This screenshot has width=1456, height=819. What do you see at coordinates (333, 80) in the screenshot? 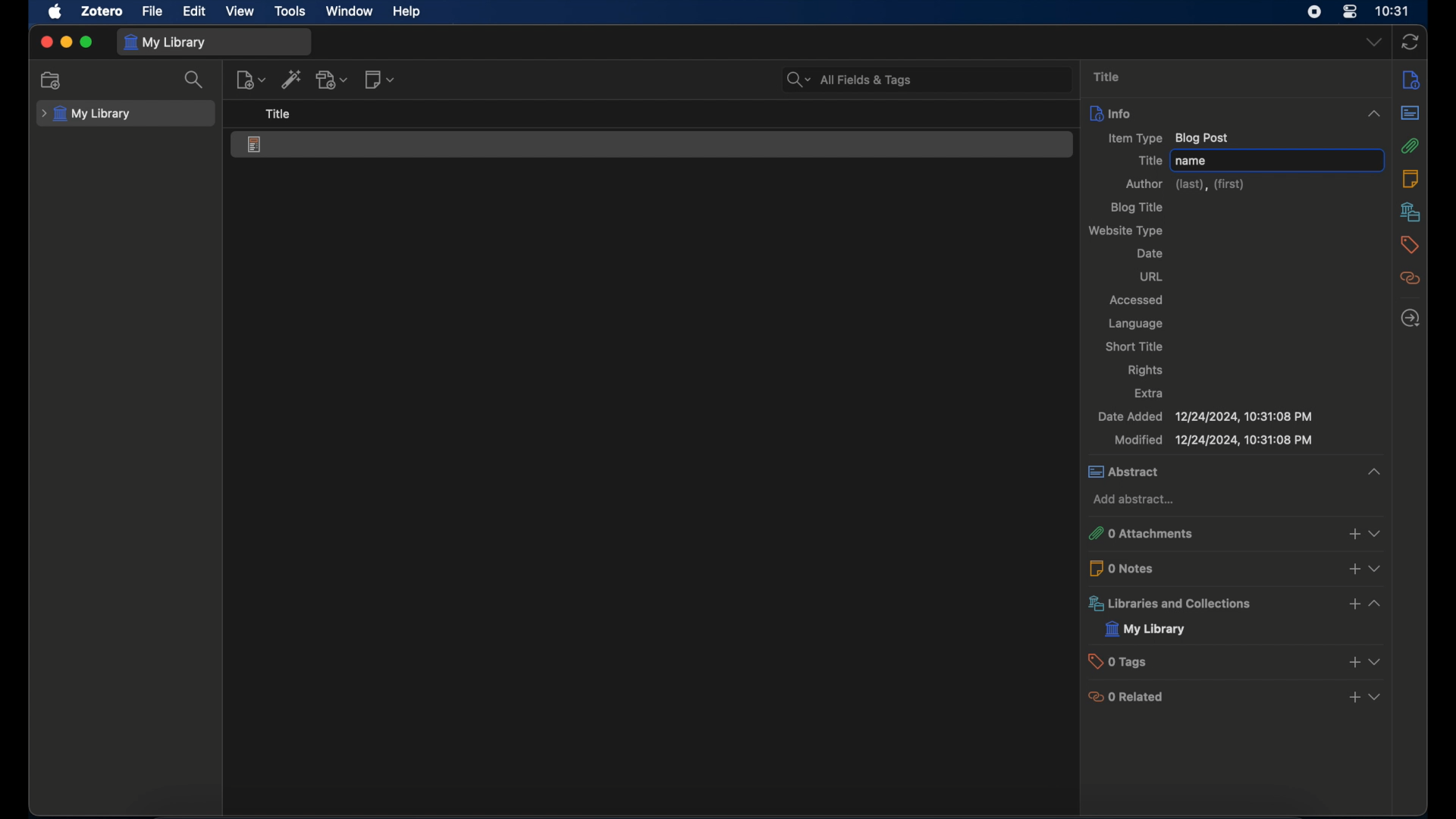
I see `add attachments` at bounding box center [333, 80].